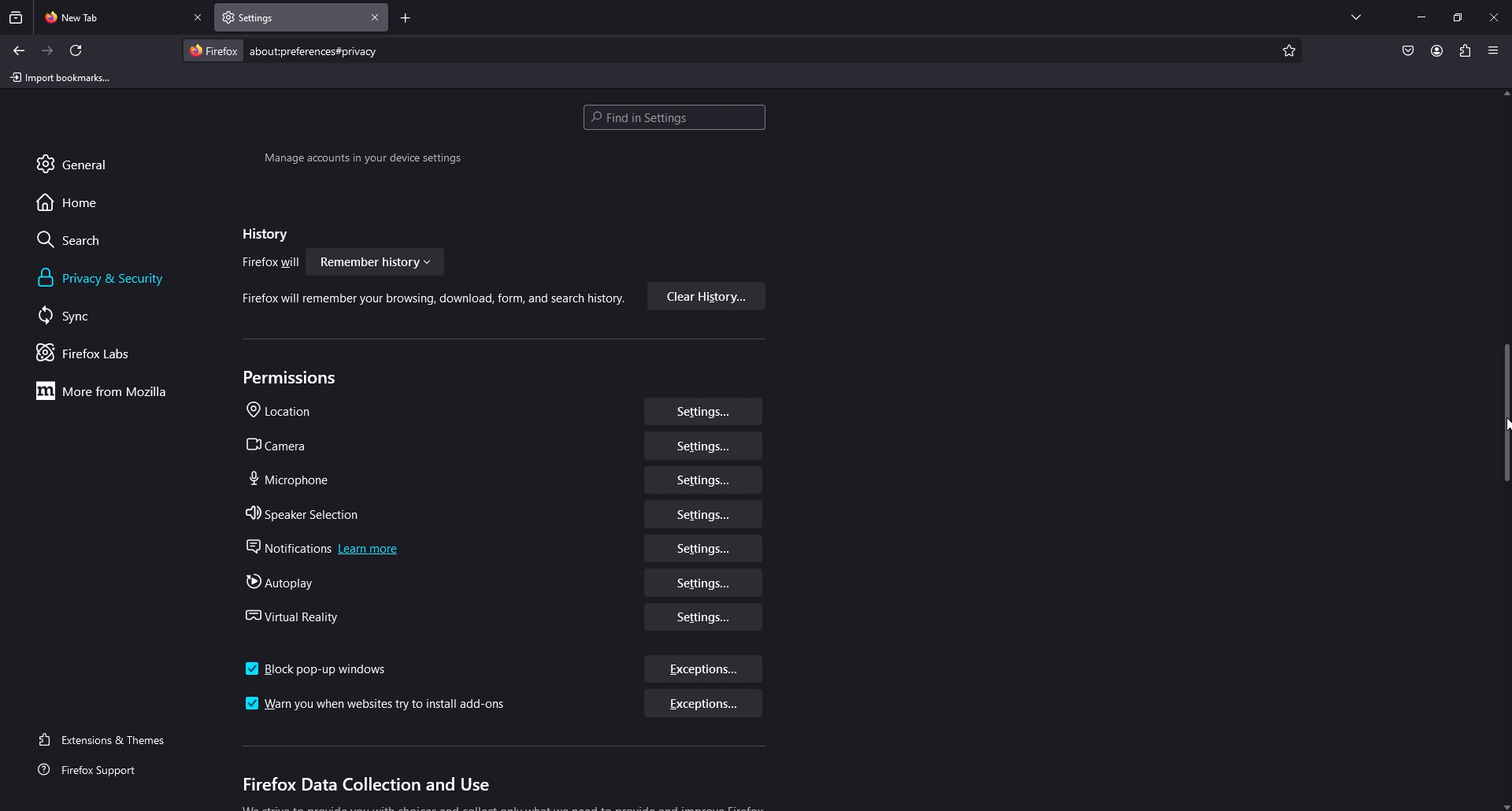 This screenshot has width=1512, height=811. What do you see at coordinates (64, 76) in the screenshot?
I see `import bookmarks` at bounding box center [64, 76].